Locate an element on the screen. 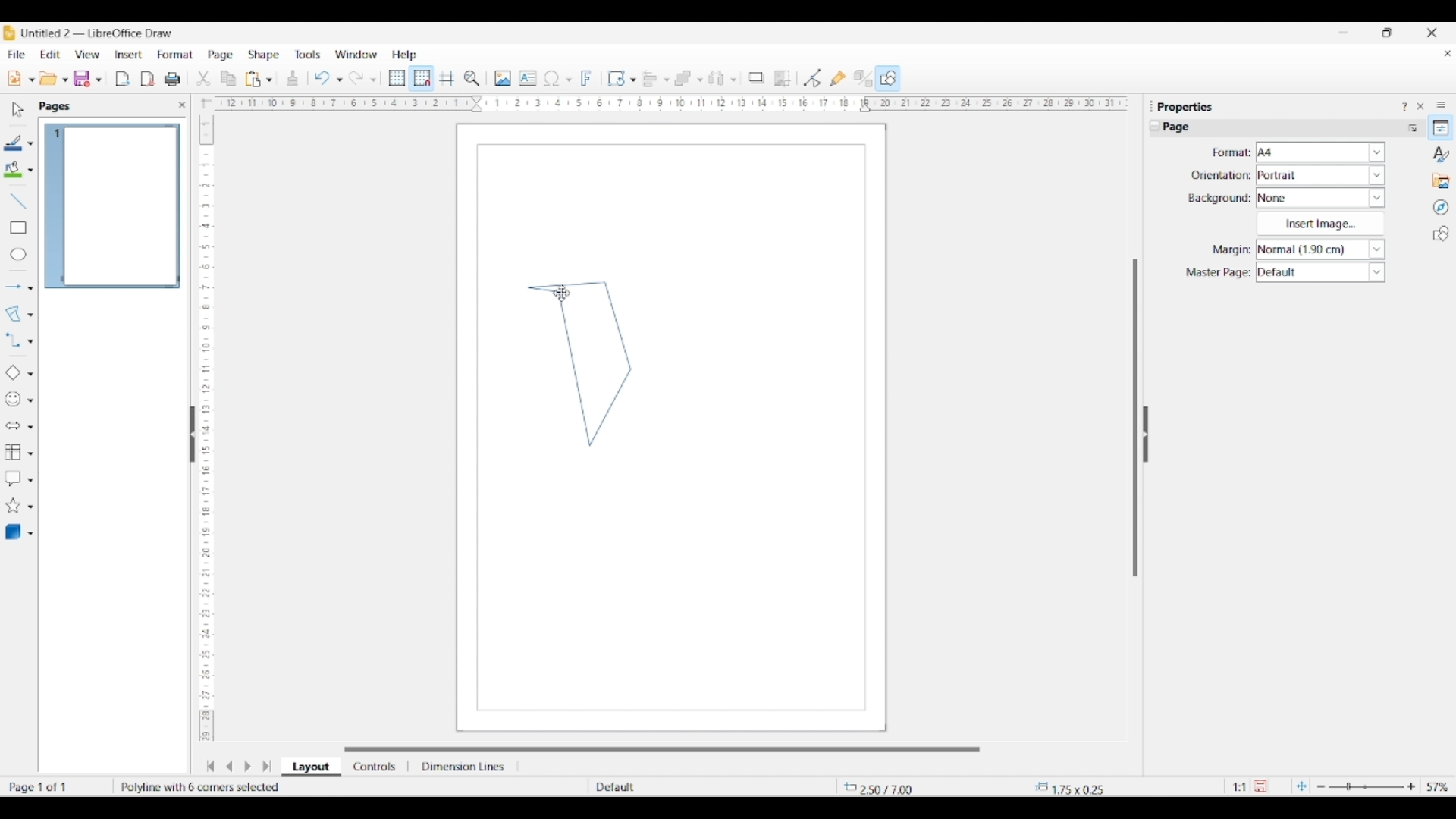  Cursor co-ordinates changed is located at coordinates (891, 787).